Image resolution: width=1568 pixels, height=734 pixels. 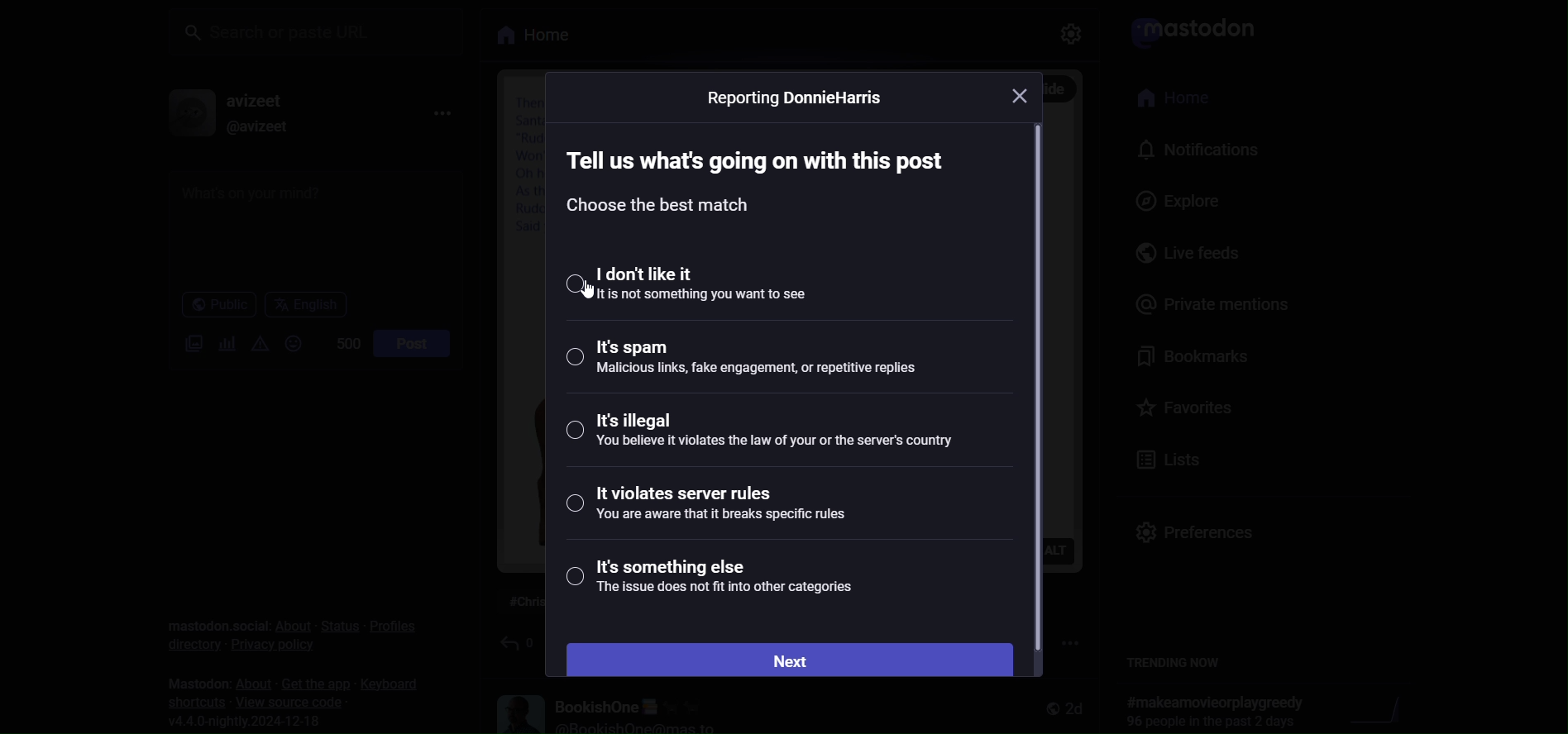 I want to click on version, so click(x=253, y=722).